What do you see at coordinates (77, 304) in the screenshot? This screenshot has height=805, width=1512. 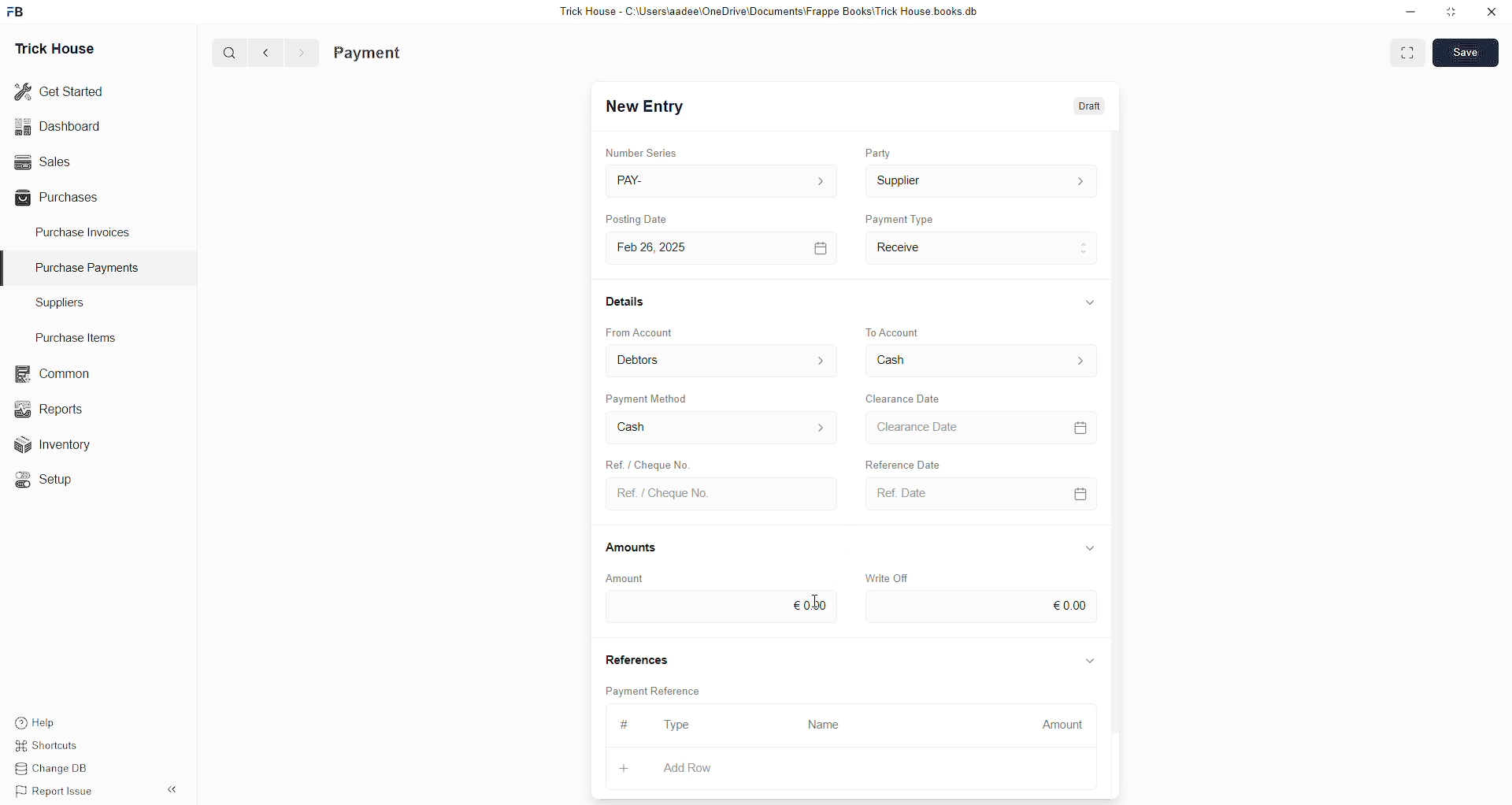 I see `Suppliers` at bounding box center [77, 304].